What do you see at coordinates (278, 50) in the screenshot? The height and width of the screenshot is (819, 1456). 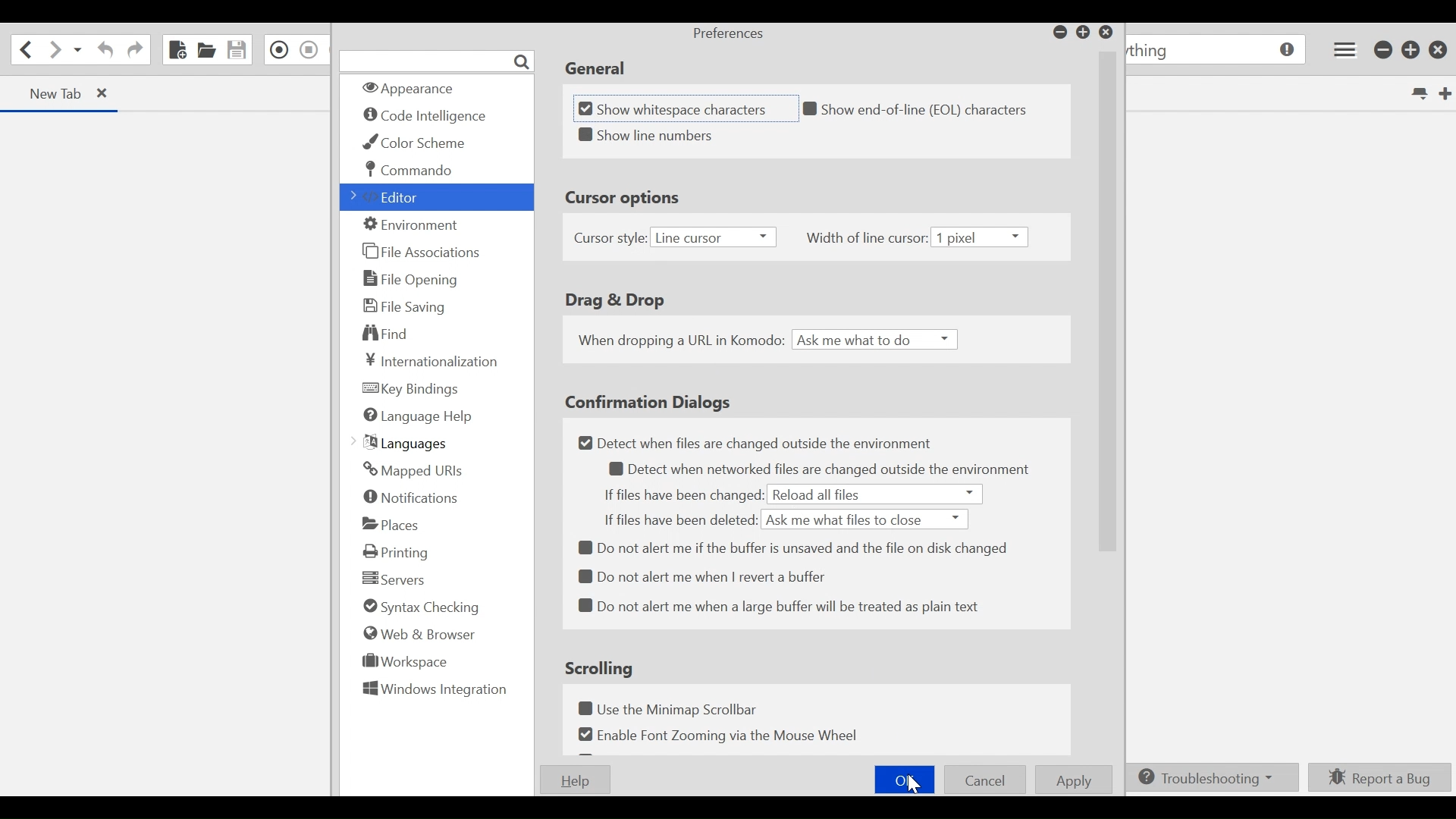 I see `Recording in Macro` at bounding box center [278, 50].